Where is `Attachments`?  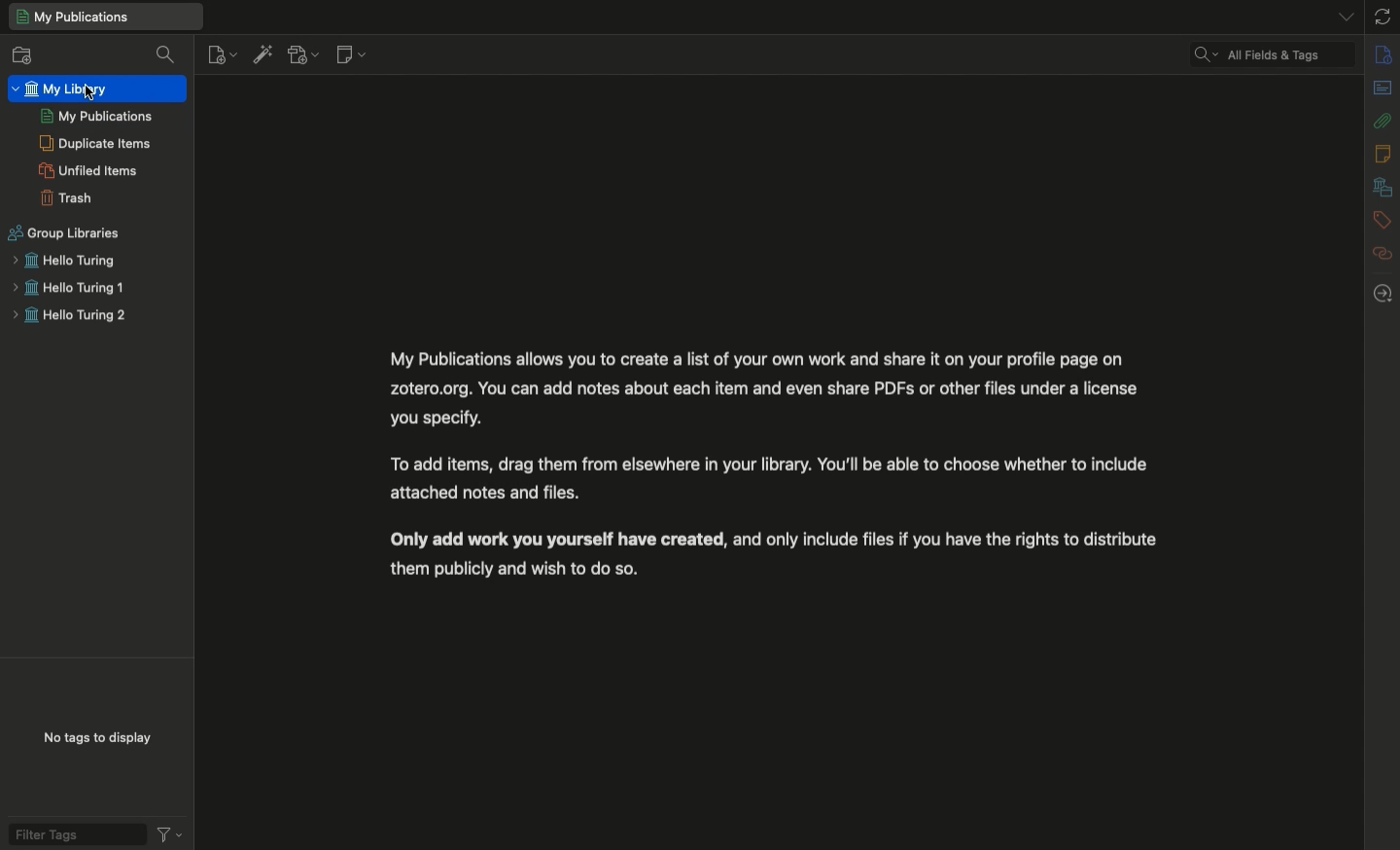 Attachments is located at coordinates (1382, 120).